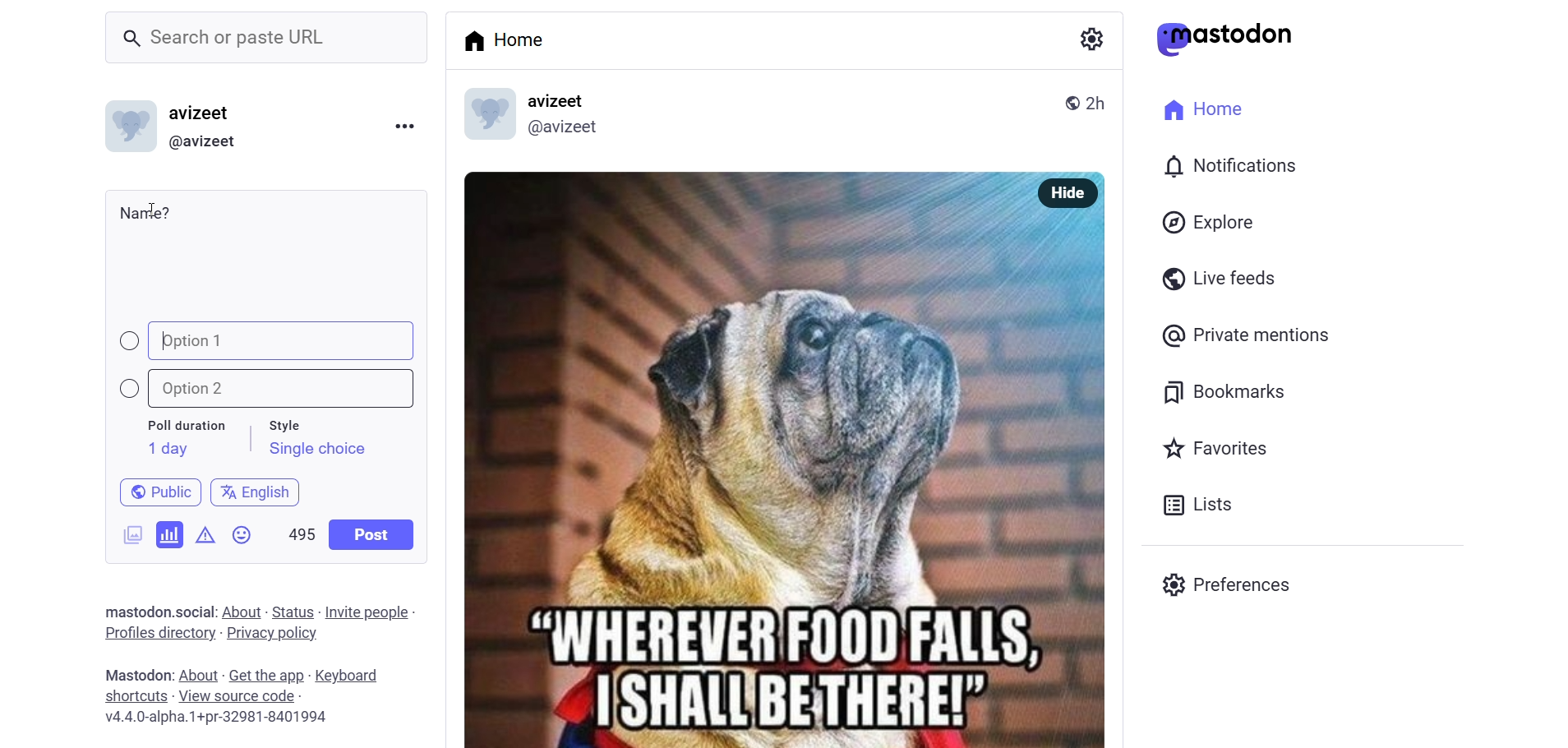 This screenshot has height=748, width=1568. What do you see at coordinates (170, 533) in the screenshot?
I see `poll` at bounding box center [170, 533].